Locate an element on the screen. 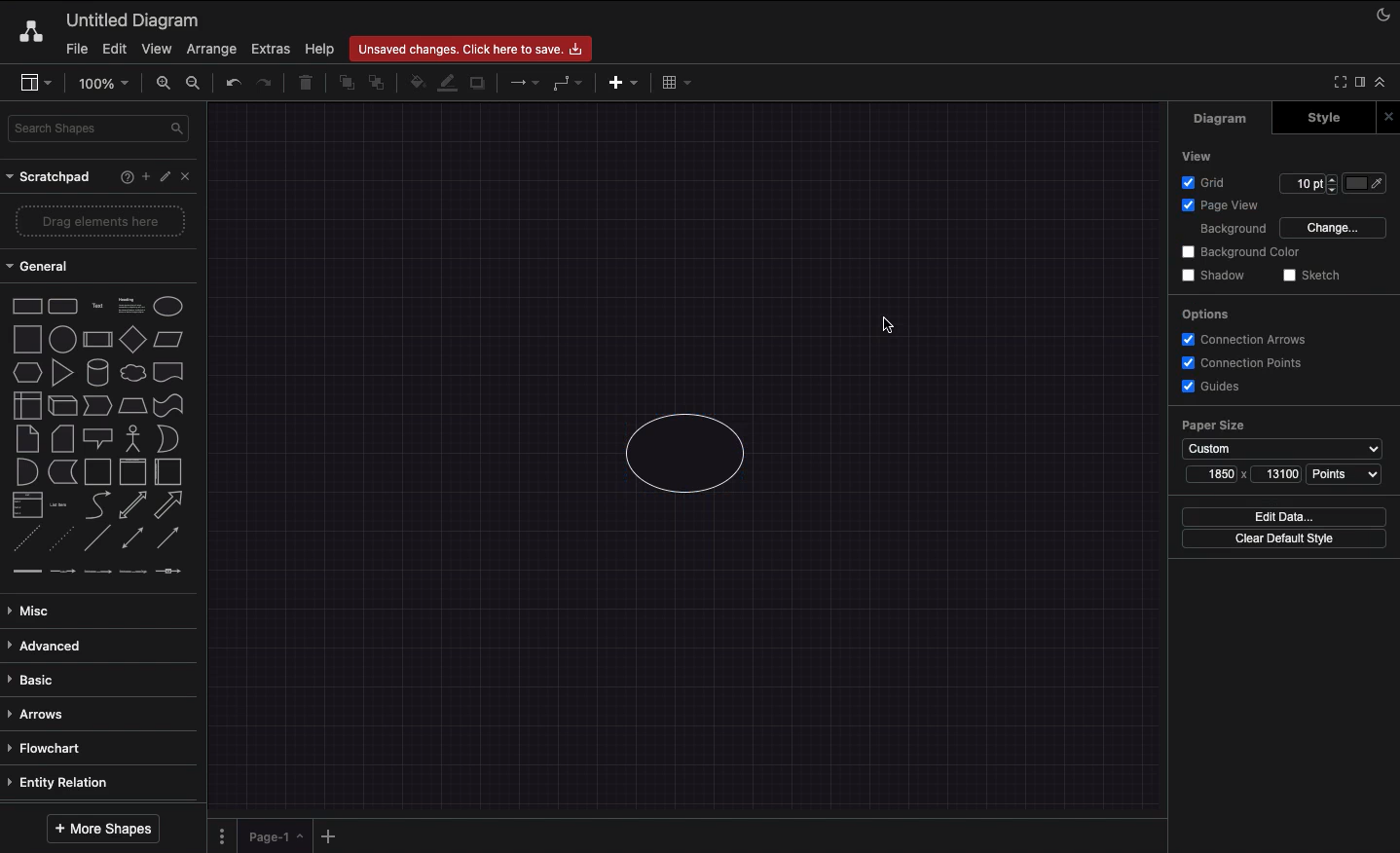 This screenshot has width=1400, height=853. 100% is located at coordinates (106, 84).